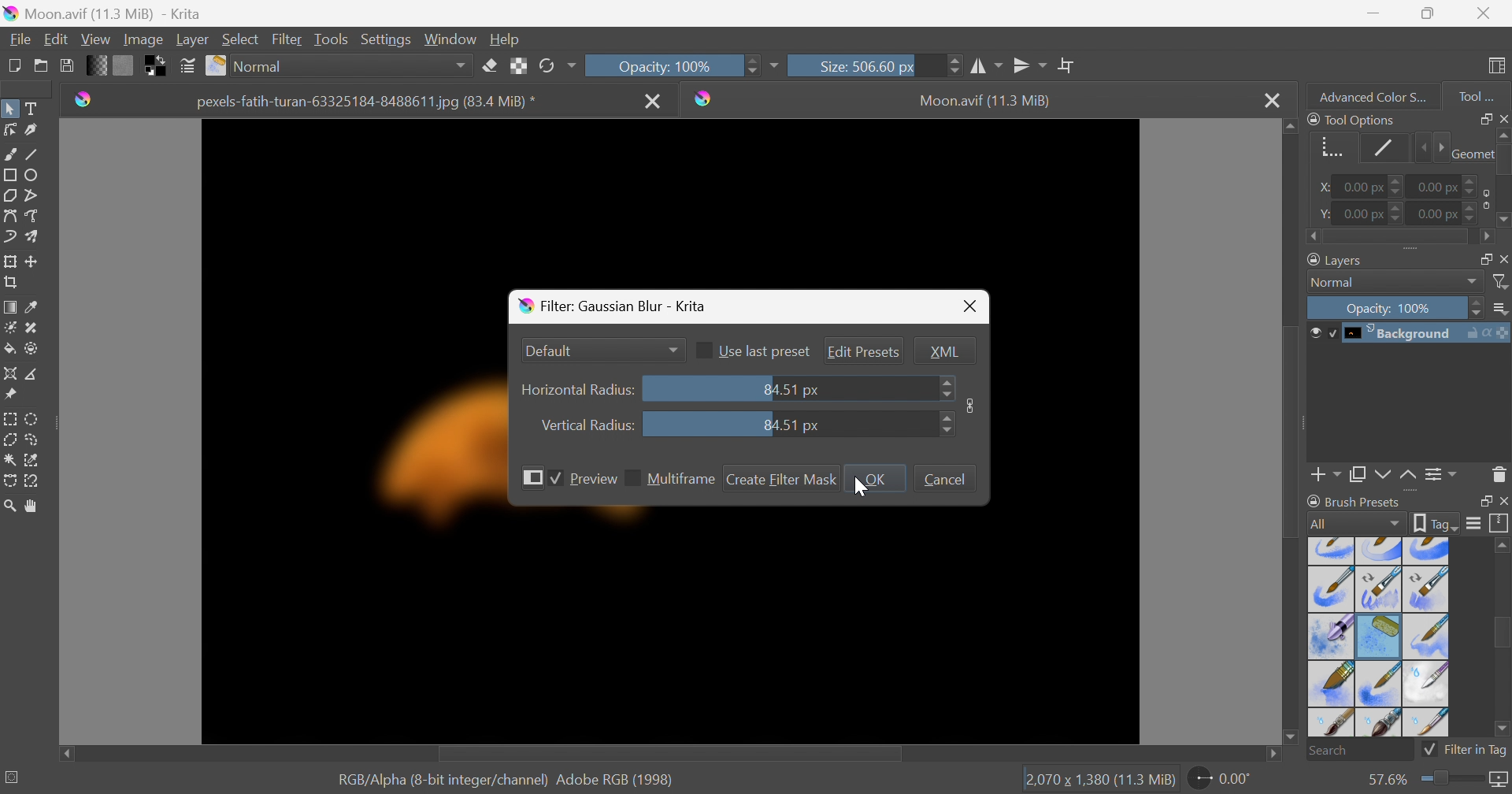 This screenshot has height=794, width=1512. I want to click on Restore down, so click(1480, 118).